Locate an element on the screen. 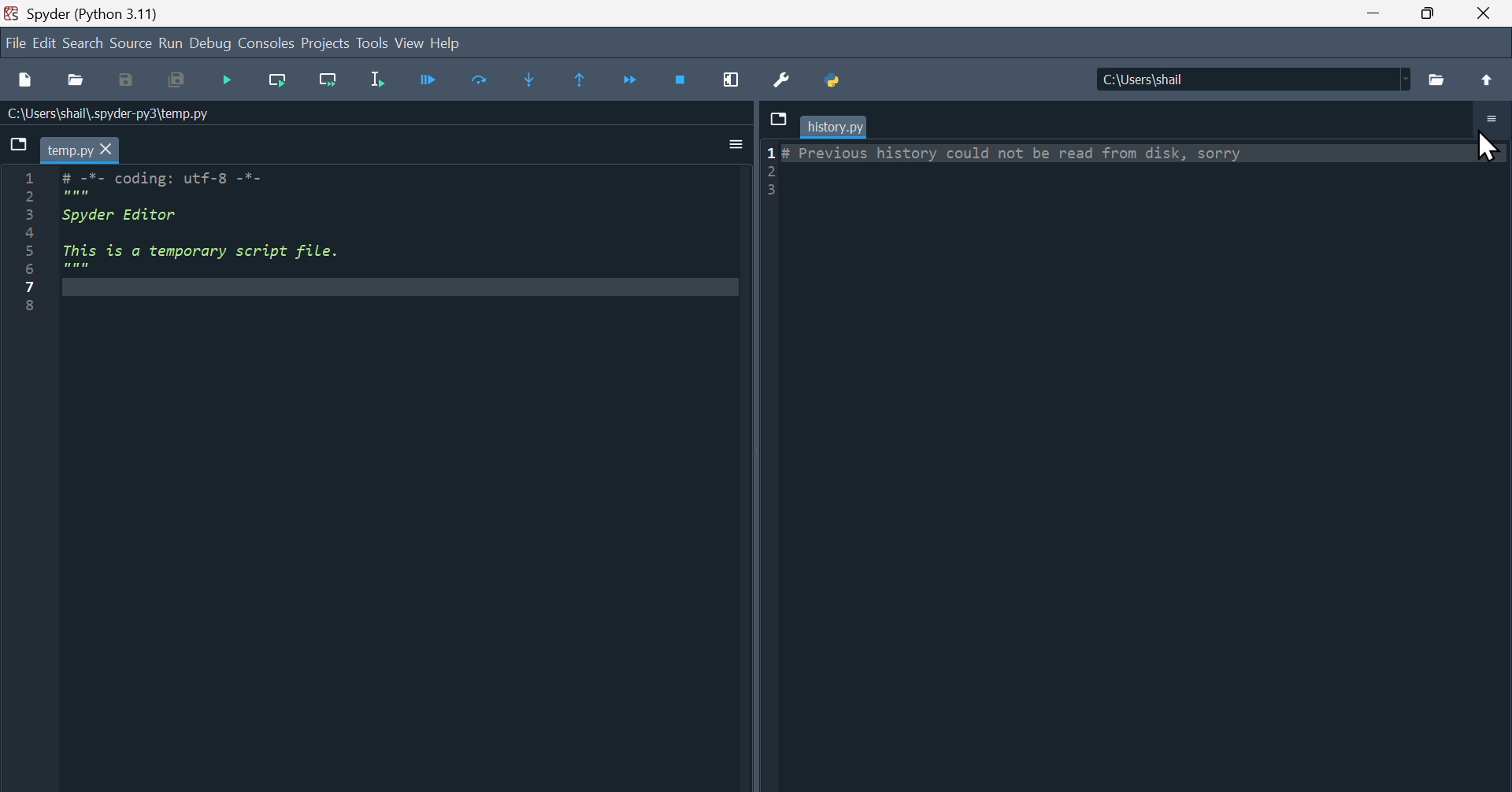 The height and width of the screenshot is (792, 1512). Debug is located at coordinates (209, 43).